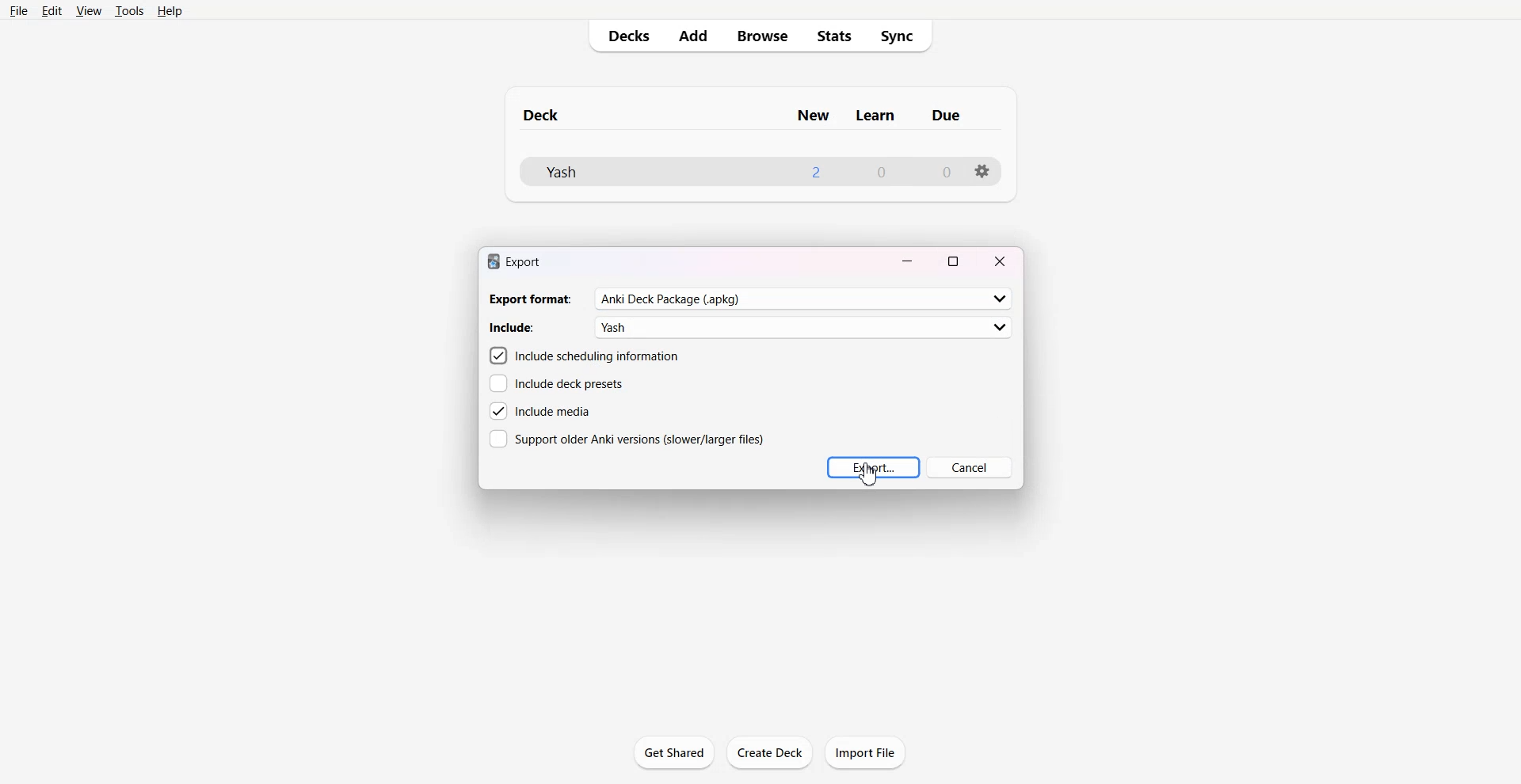  I want to click on Help, so click(173, 12).